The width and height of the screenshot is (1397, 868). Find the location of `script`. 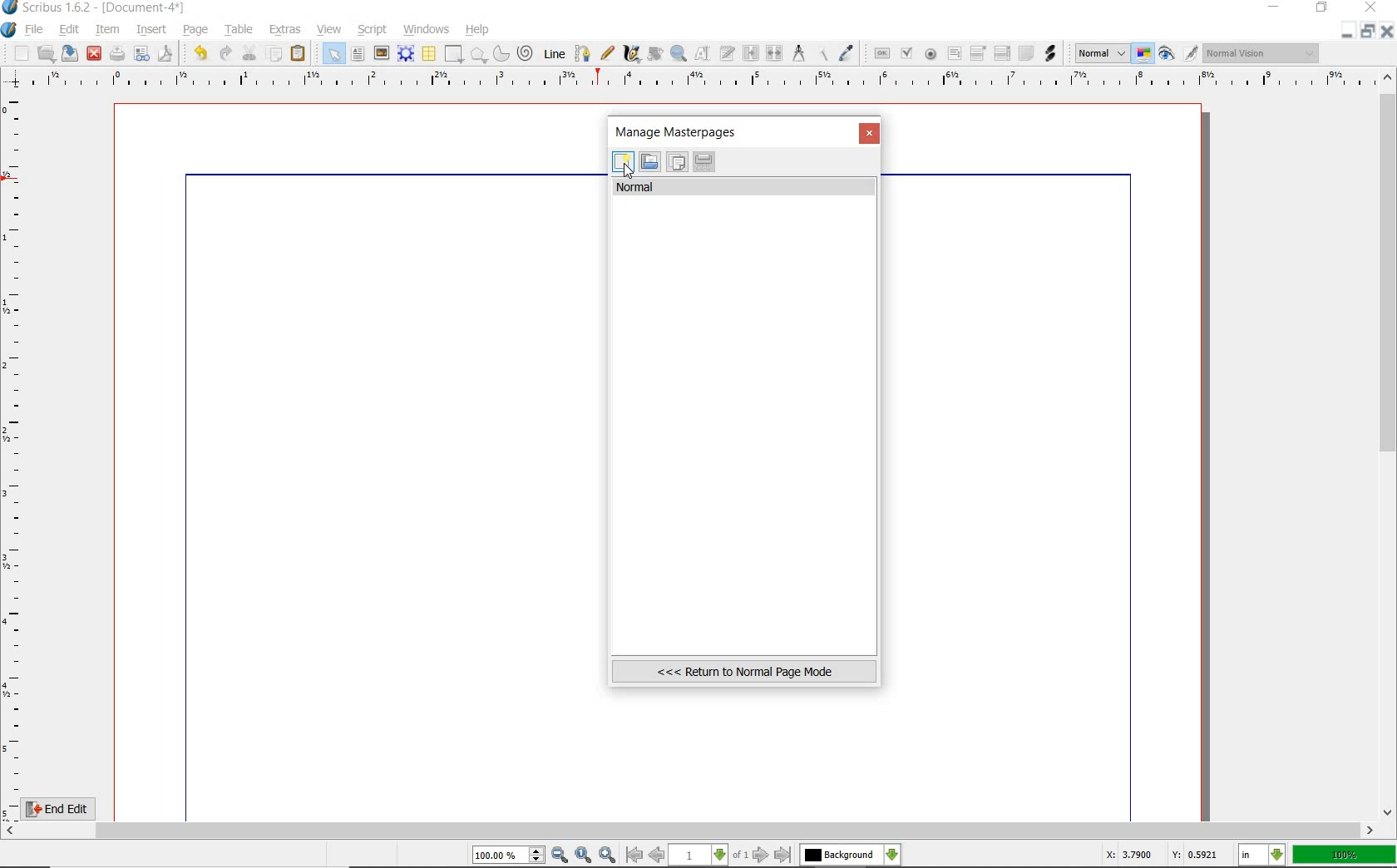

script is located at coordinates (373, 28).